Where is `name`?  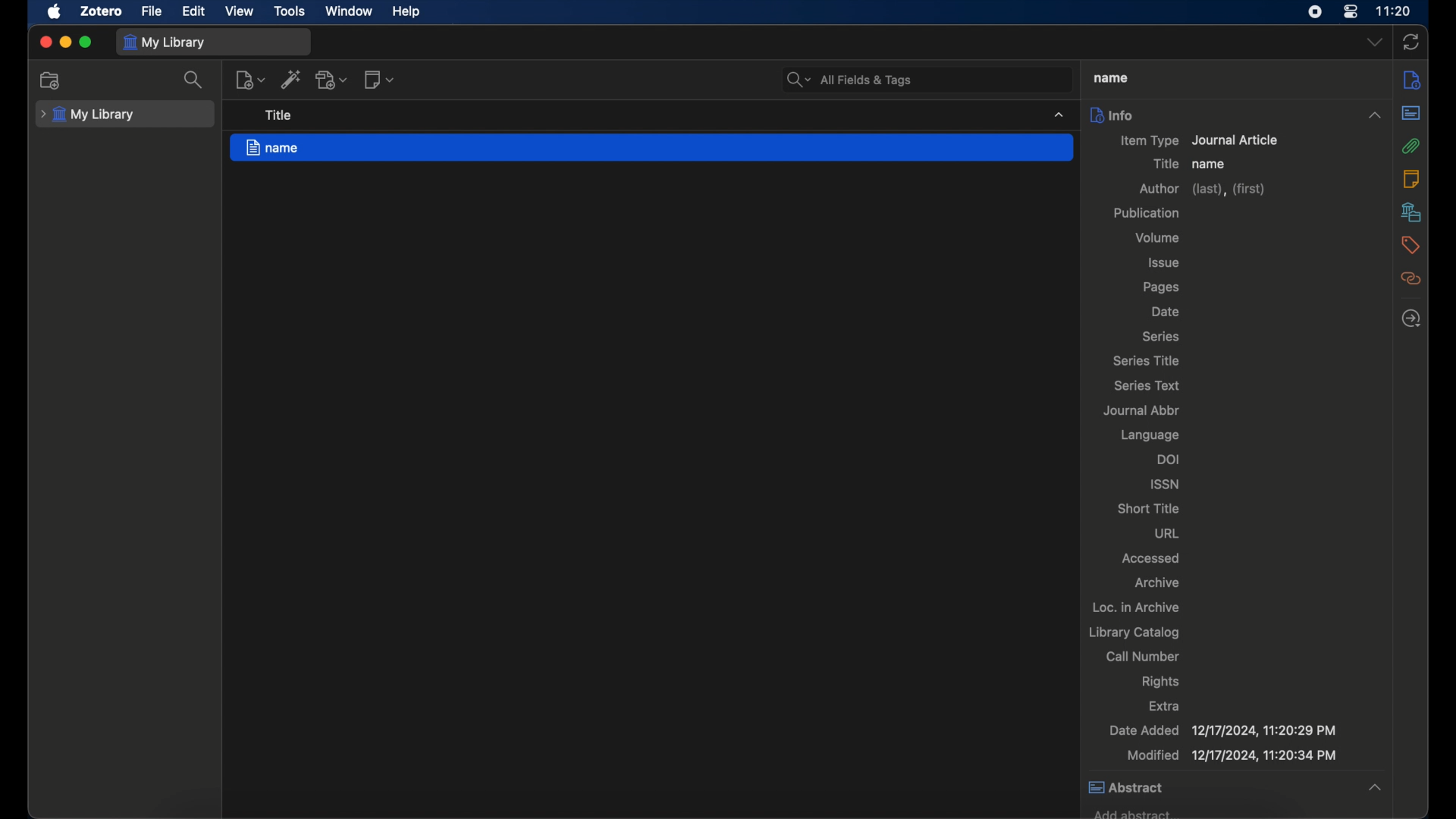
name is located at coordinates (652, 148).